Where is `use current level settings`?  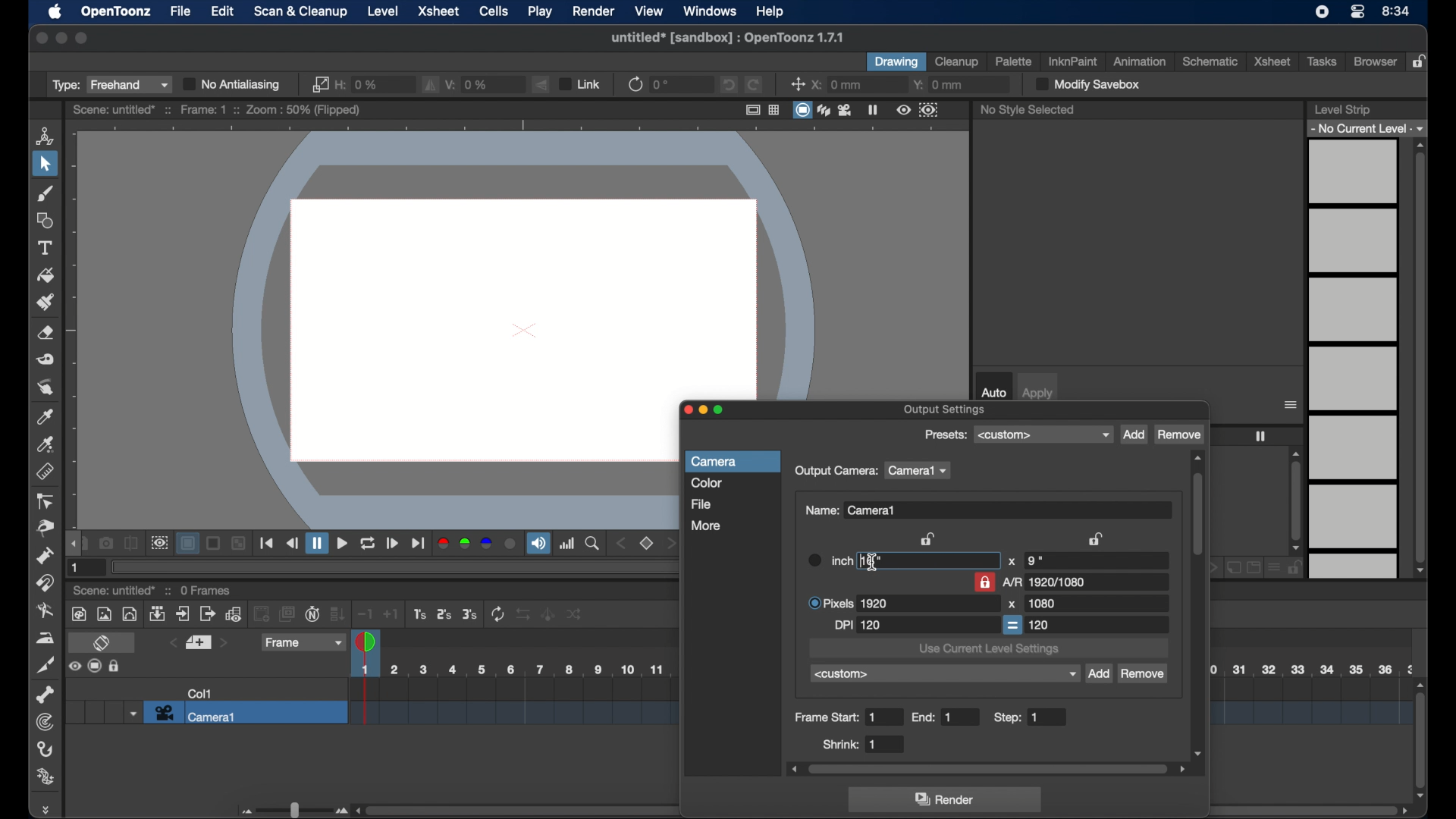 use current level settings is located at coordinates (989, 650).